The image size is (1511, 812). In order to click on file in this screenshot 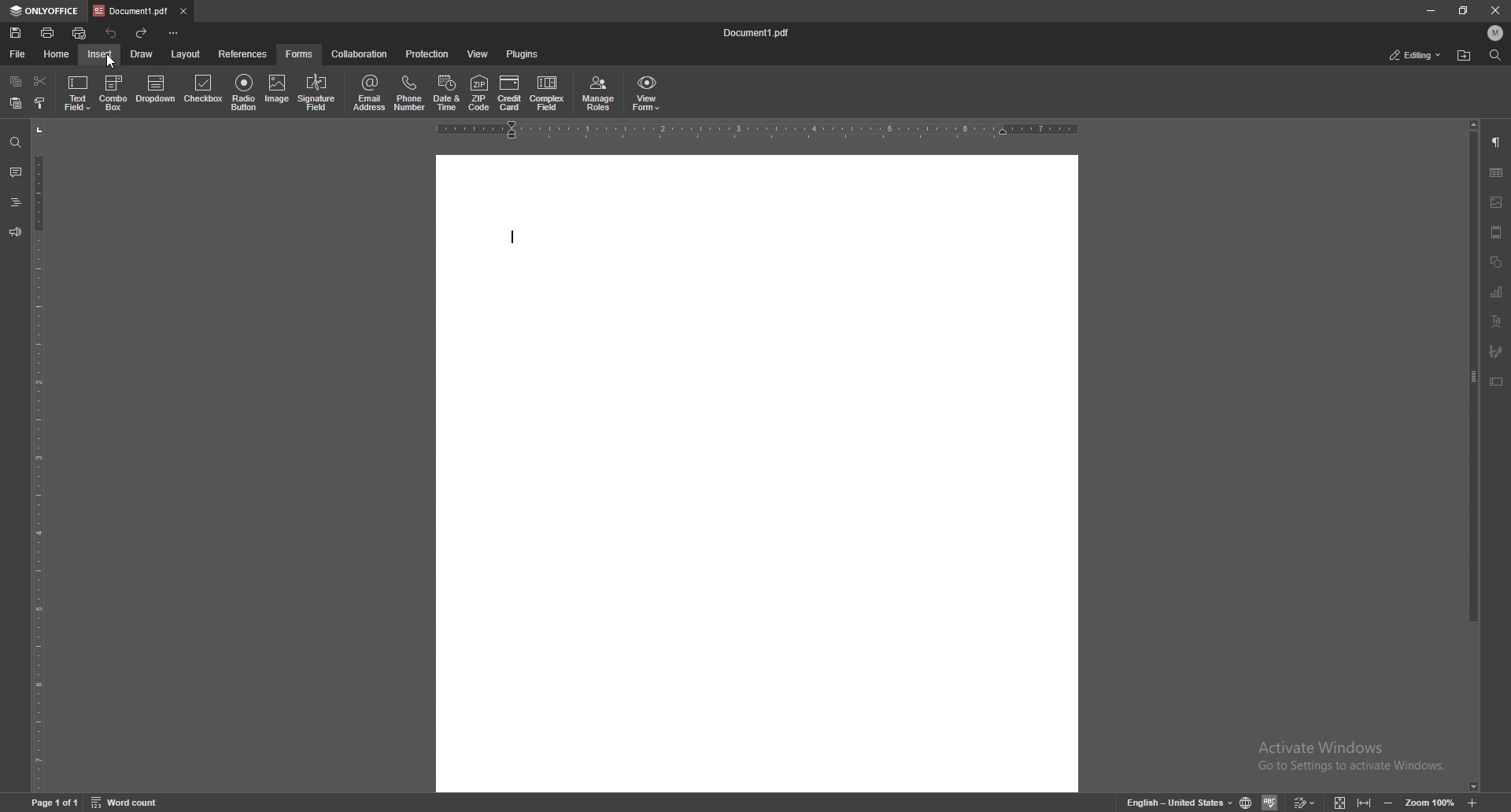, I will do `click(18, 54)`.